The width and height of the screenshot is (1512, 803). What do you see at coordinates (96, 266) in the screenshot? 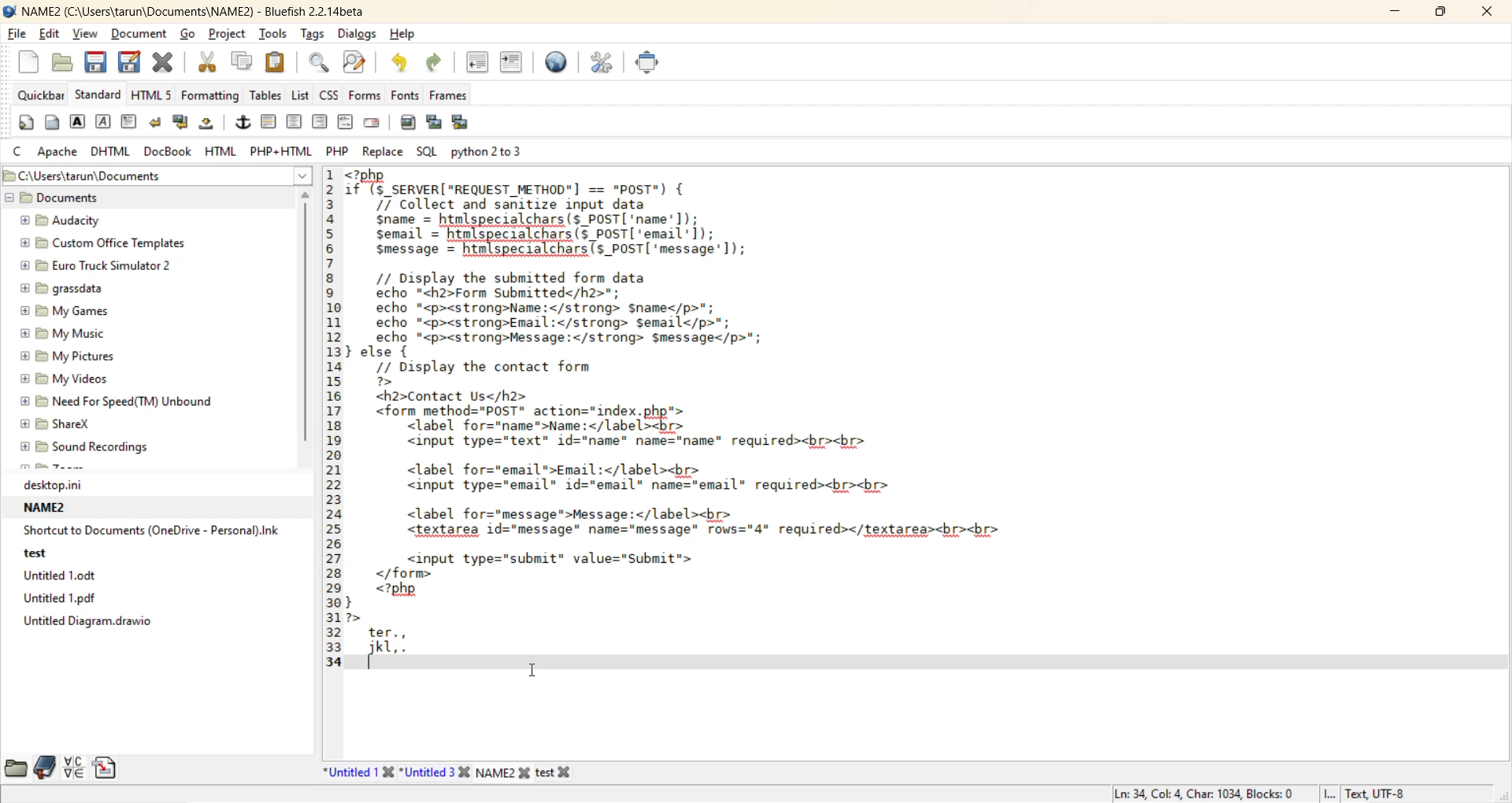
I see `Euro Truck Simulator 2` at bounding box center [96, 266].